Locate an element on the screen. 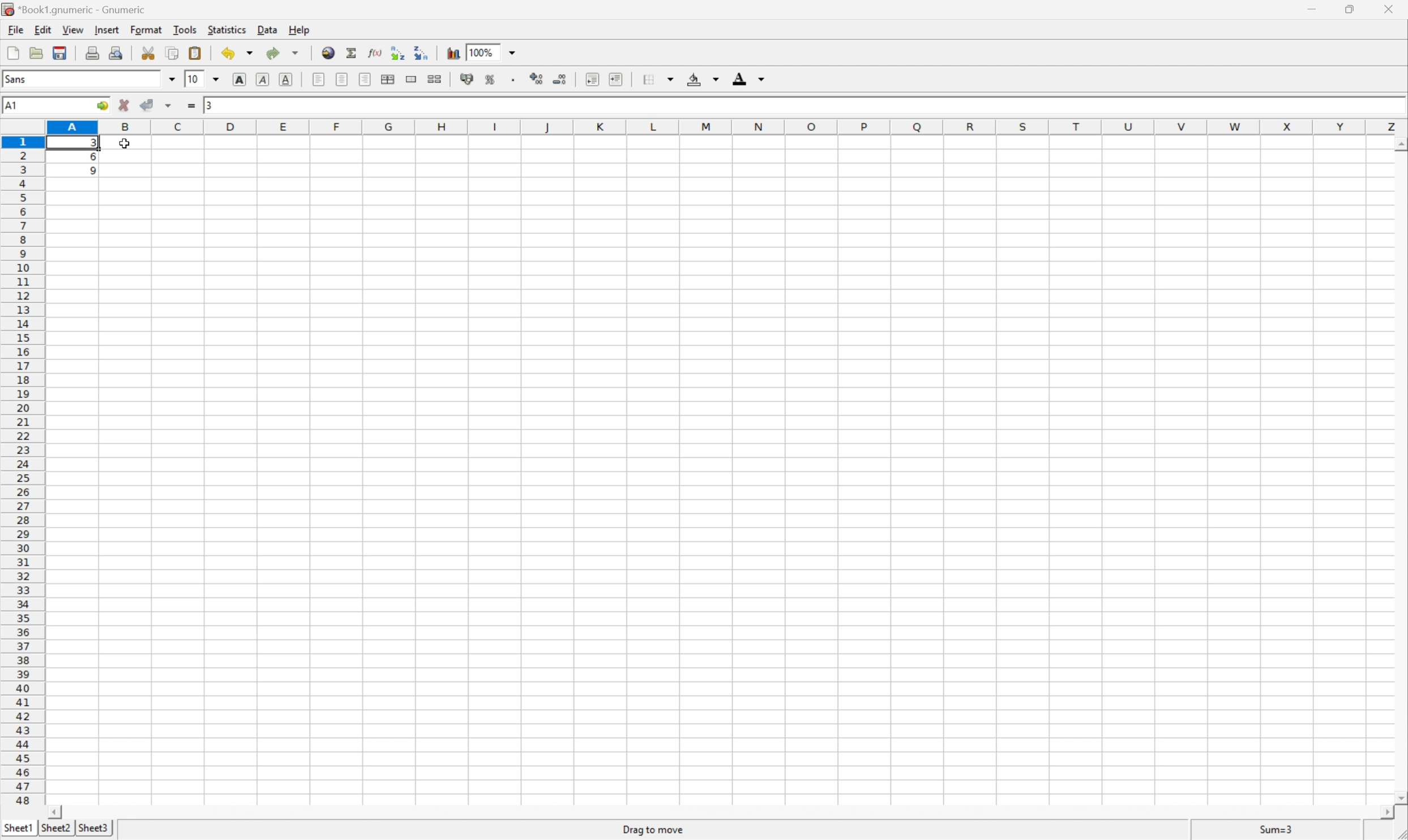 This screenshot has width=1408, height=840. Format the selection as percentage is located at coordinates (489, 80).